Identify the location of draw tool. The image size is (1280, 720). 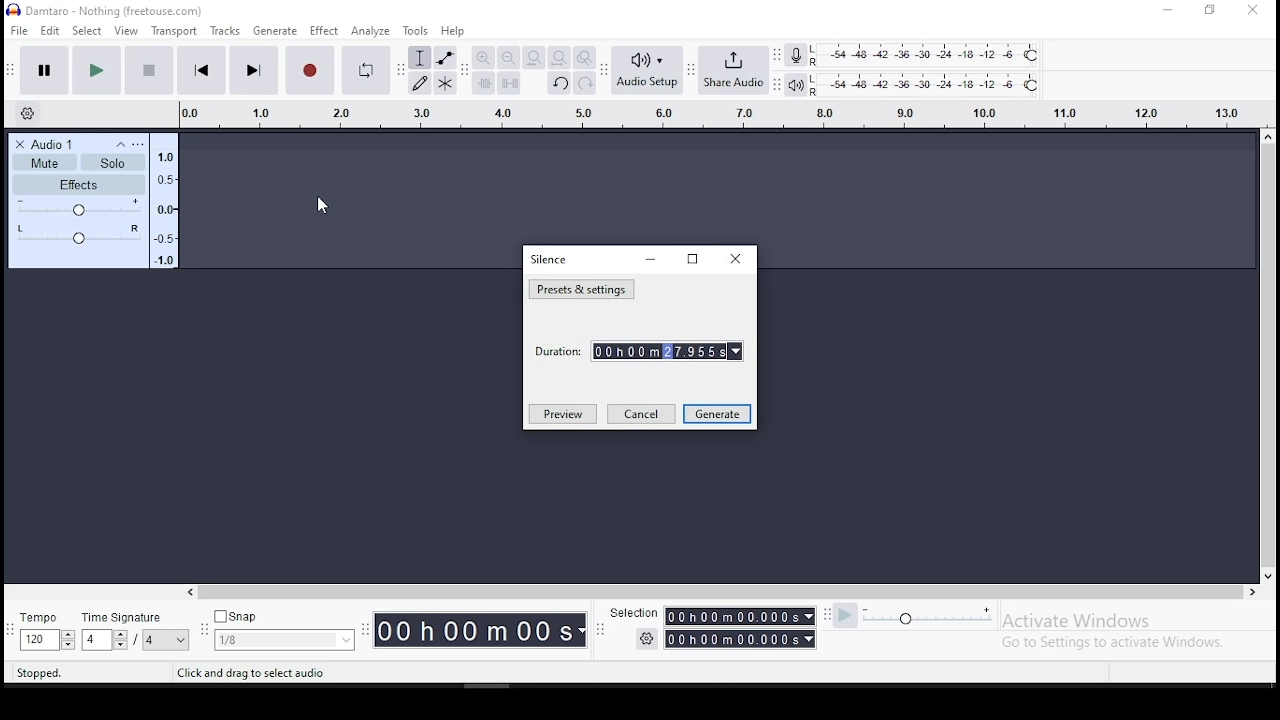
(420, 83).